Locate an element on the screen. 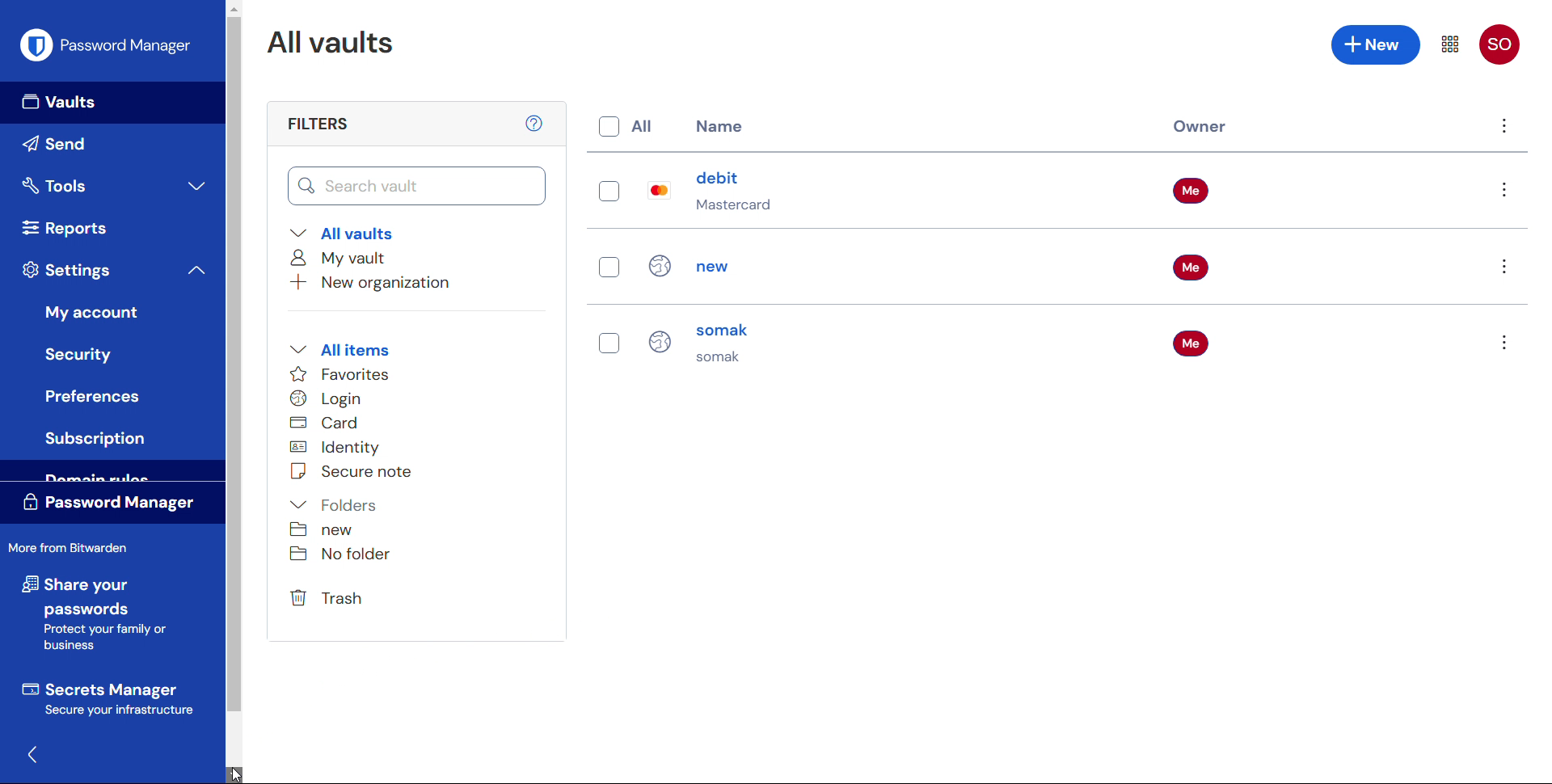 The width and height of the screenshot is (1552, 784). reports  is located at coordinates (67, 227).